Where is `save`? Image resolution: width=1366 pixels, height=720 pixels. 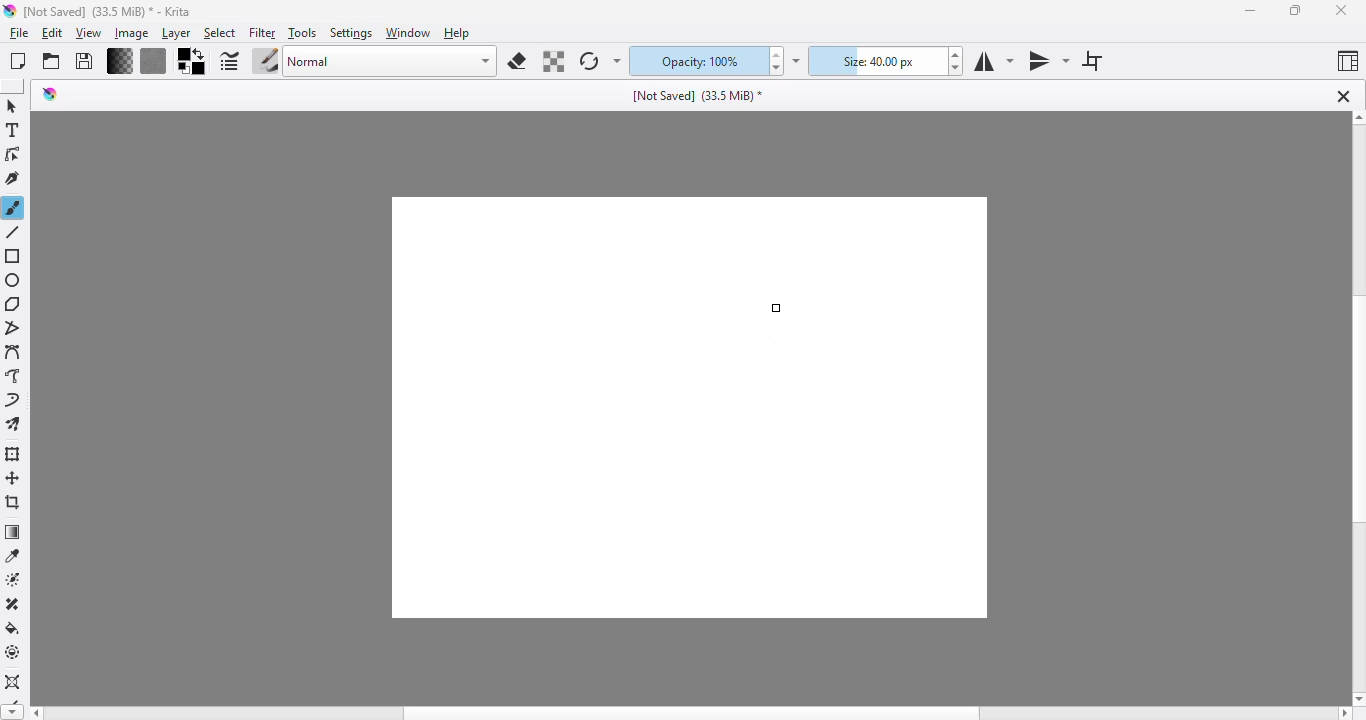
save is located at coordinates (84, 61).